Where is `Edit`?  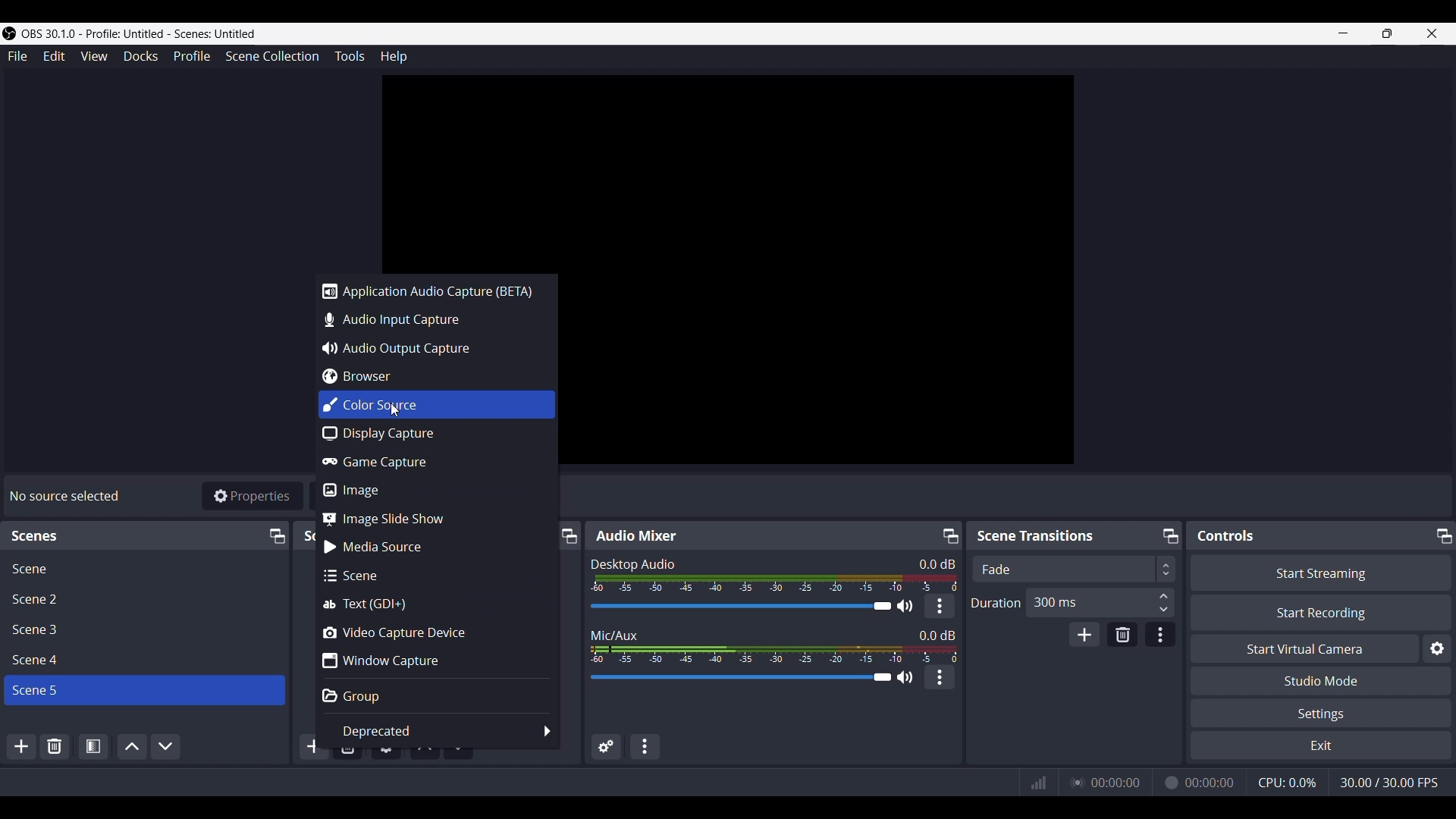 Edit is located at coordinates (53, 55).